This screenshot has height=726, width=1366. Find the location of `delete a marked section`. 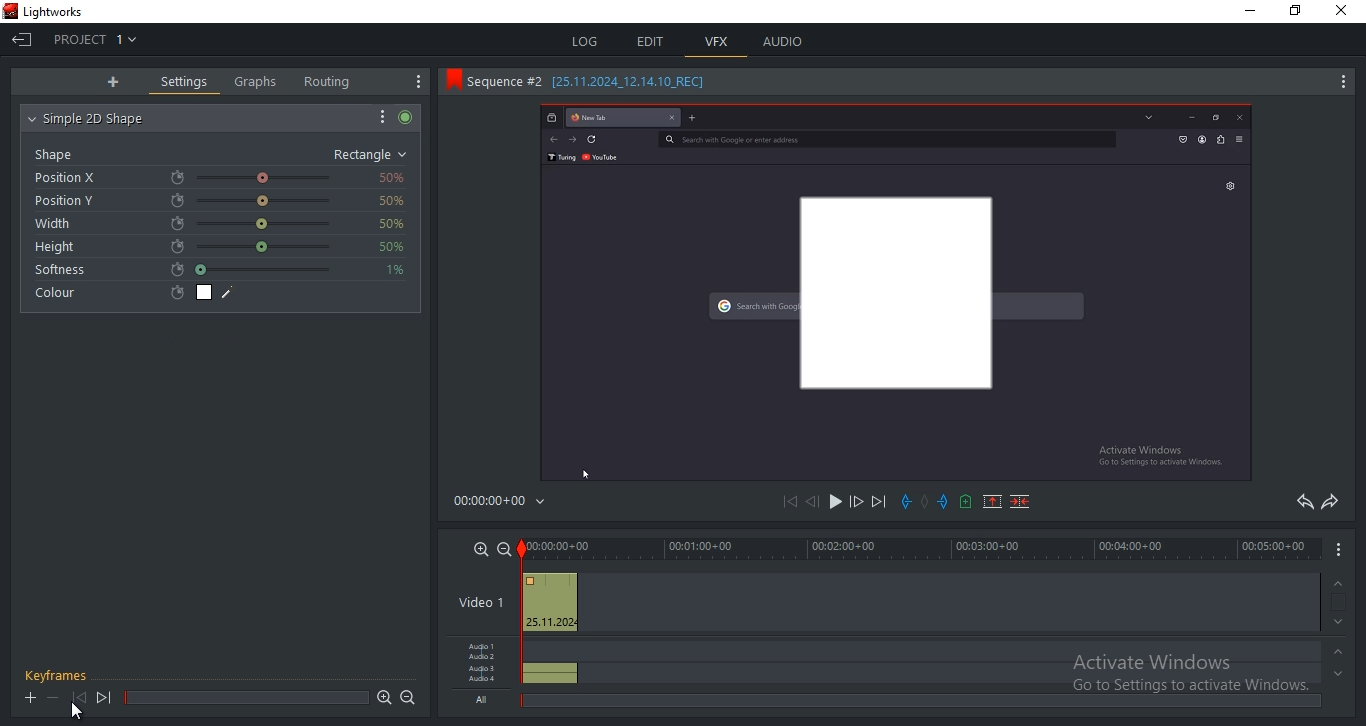

delete a marked section is located at coordinates (1023, 501).